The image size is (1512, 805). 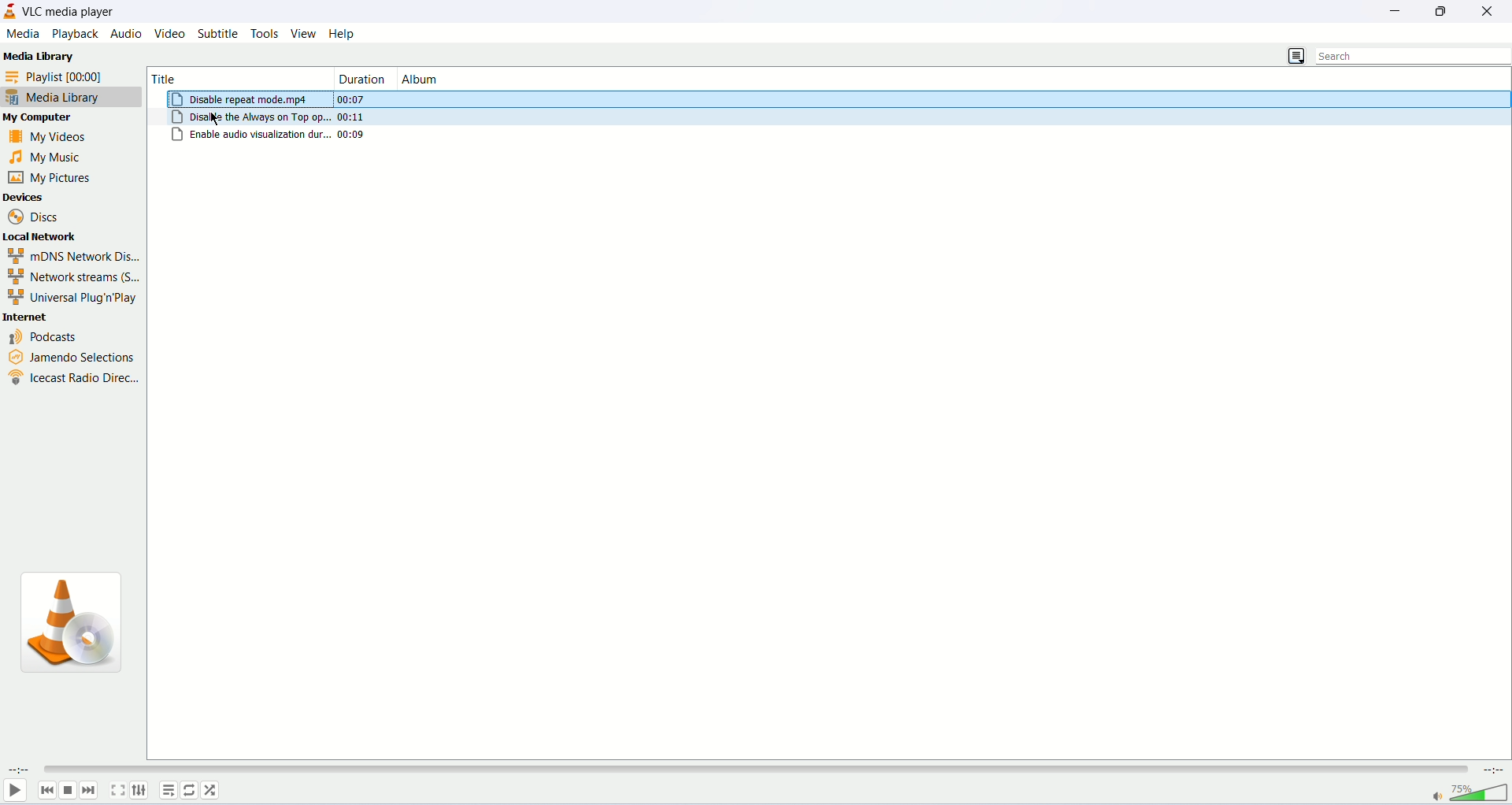 I want to click on my music, so click(x=57, y=158).